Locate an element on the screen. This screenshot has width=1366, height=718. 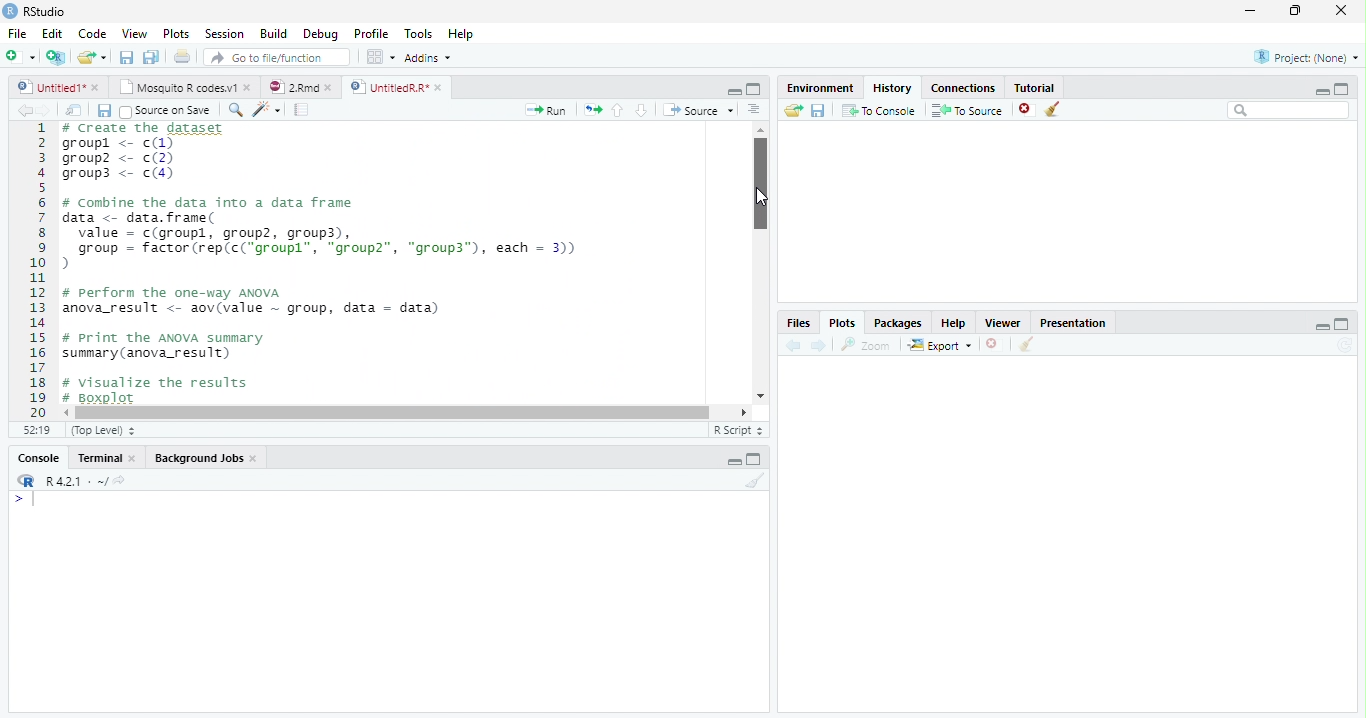
Untitled is located at coordinates (59, 87).